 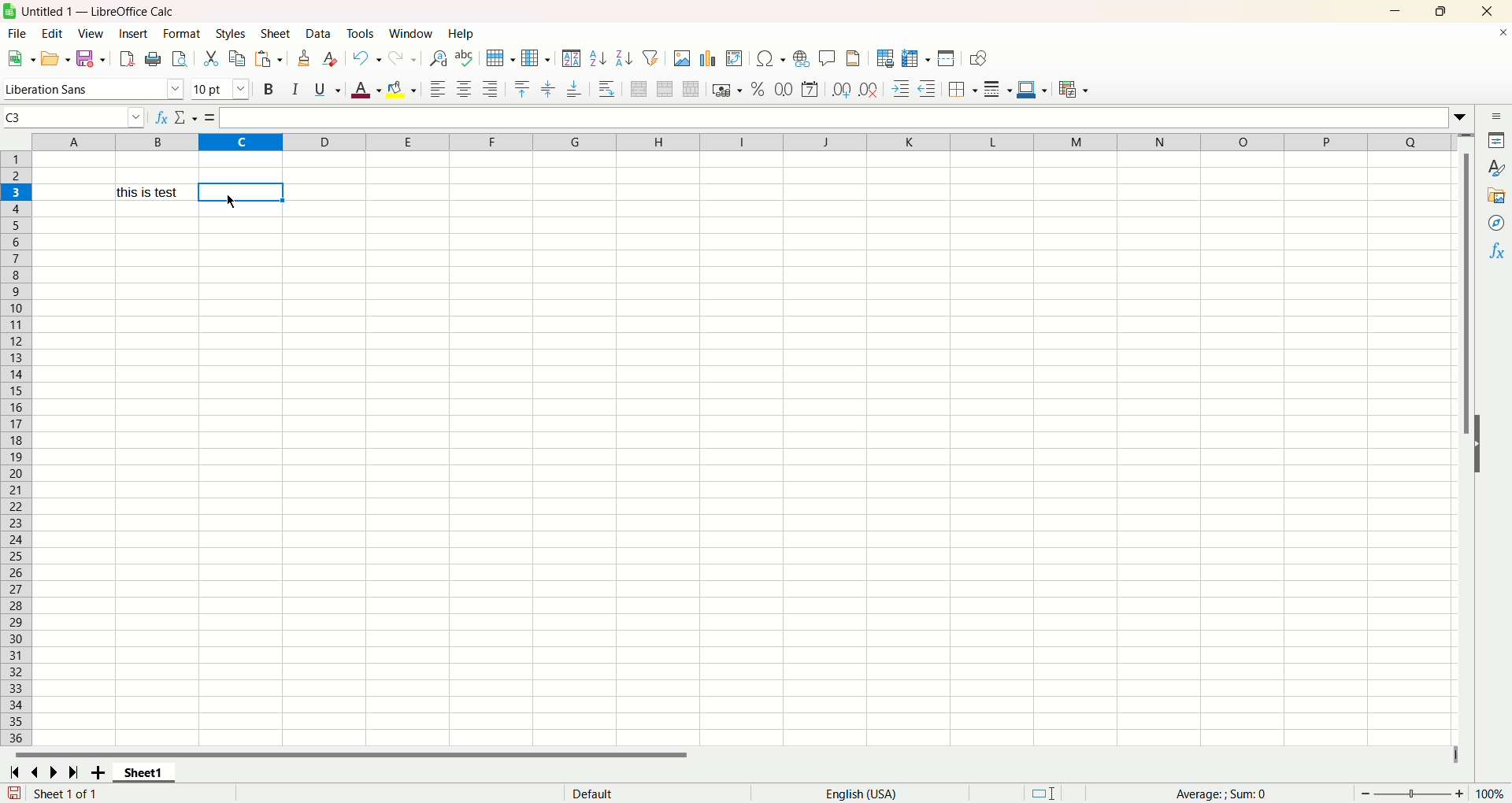 What do you see at coordinates (945, 58) in the screenshot?
I see `split window` at bounding box center [945, 58].